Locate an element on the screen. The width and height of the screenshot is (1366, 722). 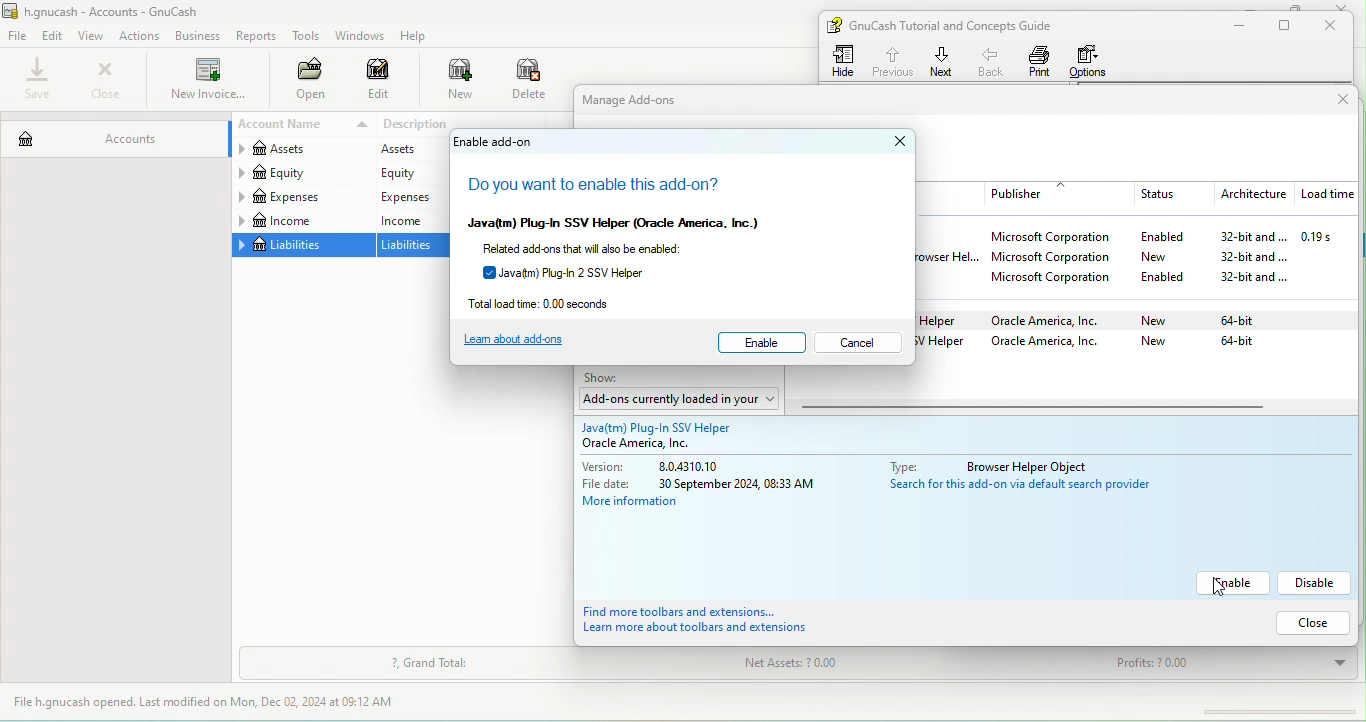
java(tm)plug ln ssv helper (oracle america lnc) is located at coordinates (640, 221).